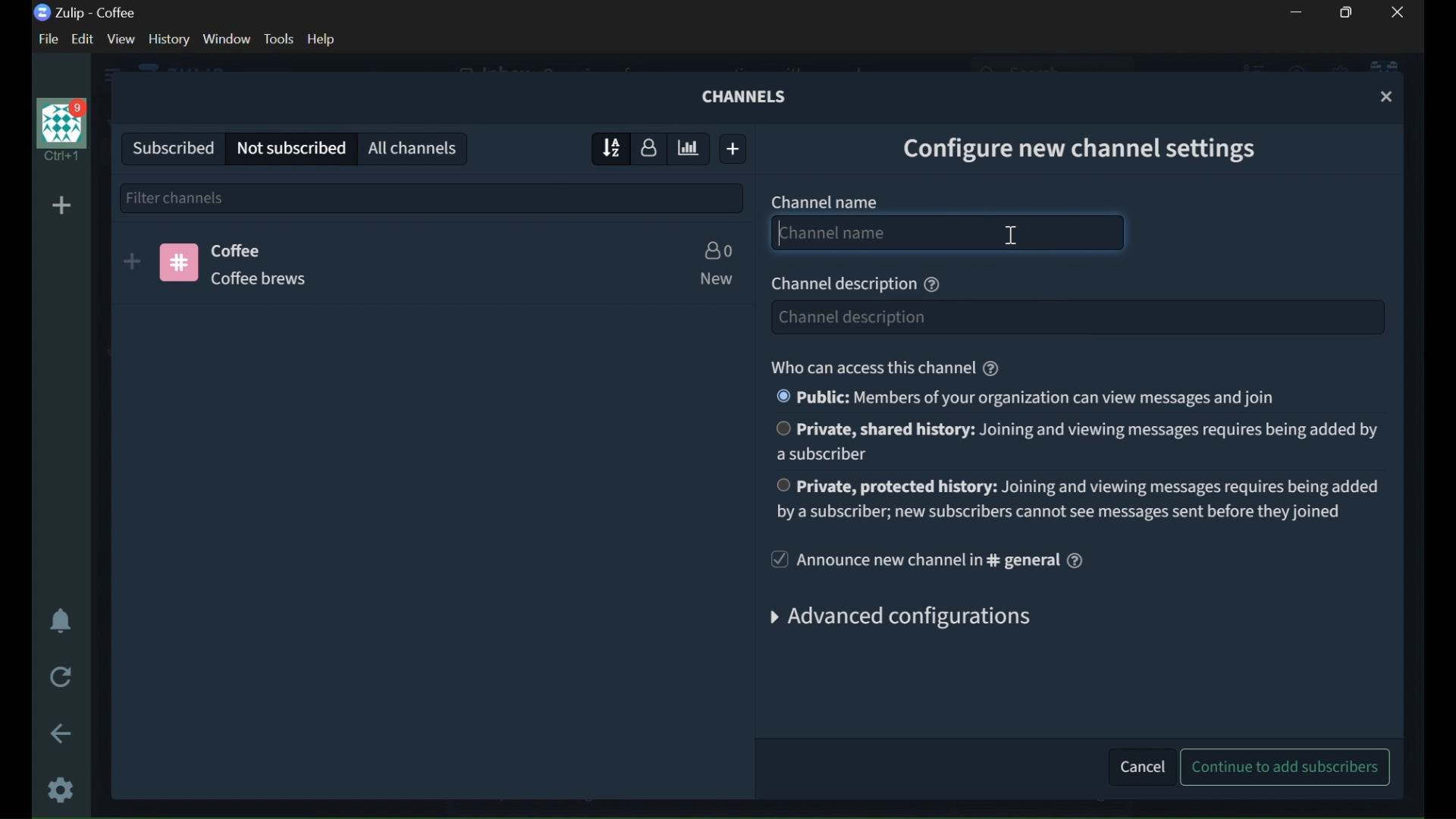 This screenshot has width=1456, height=819. I want to click on CHANNEL DESCRIPTION, so click(841, 285).